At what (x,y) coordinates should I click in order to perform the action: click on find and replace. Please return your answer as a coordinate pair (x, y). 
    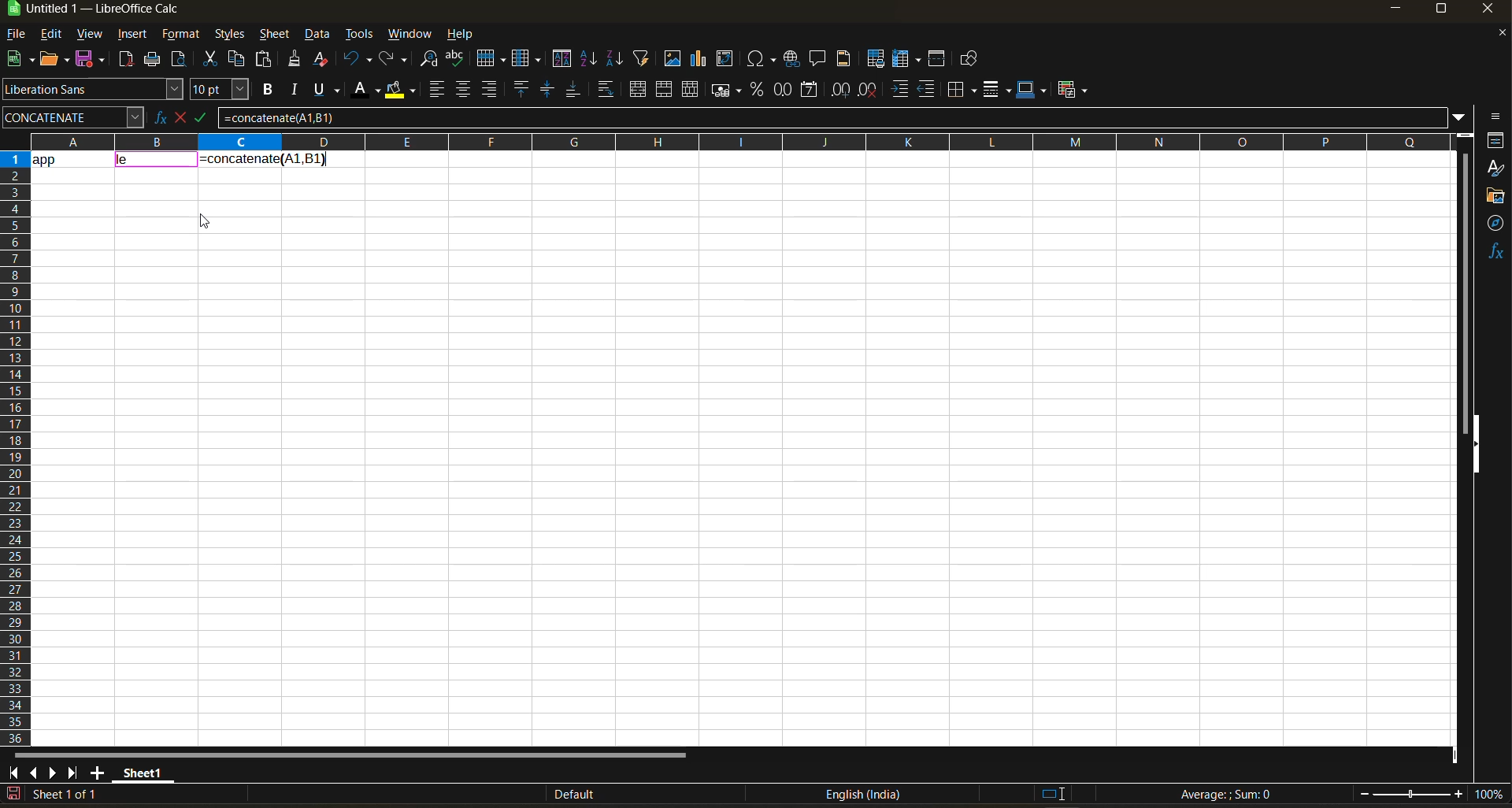
    Looking at the image, I should click on (430, 61).